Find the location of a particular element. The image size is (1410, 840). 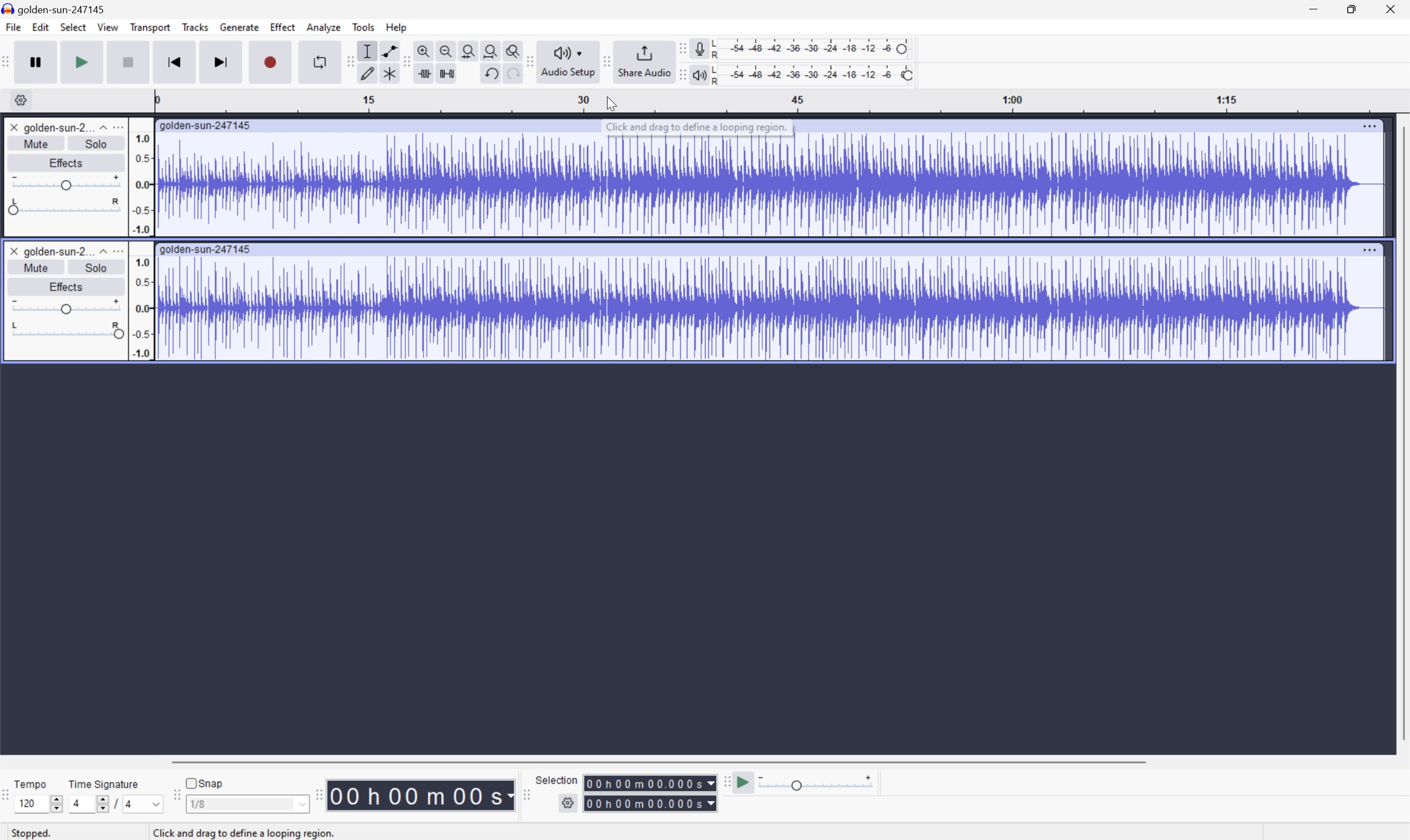

More is located at coordinates (1370, 246).